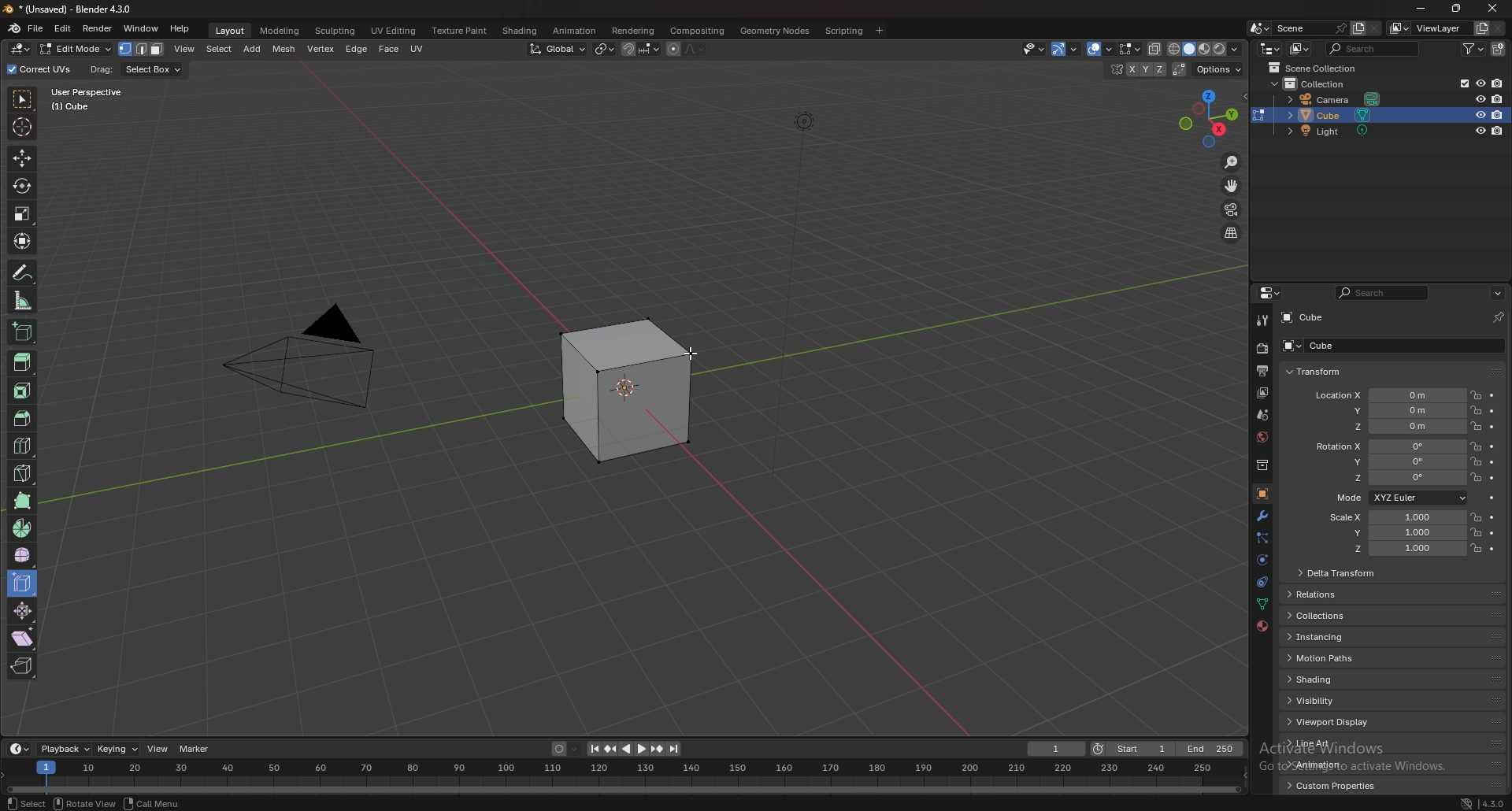 Image resolution: width=1512 pixels, height=811 pixels. What do you see at coordinates (675, 750) in the screenshot?
I see `jump to endpoint` at bounding box center [675, 750].